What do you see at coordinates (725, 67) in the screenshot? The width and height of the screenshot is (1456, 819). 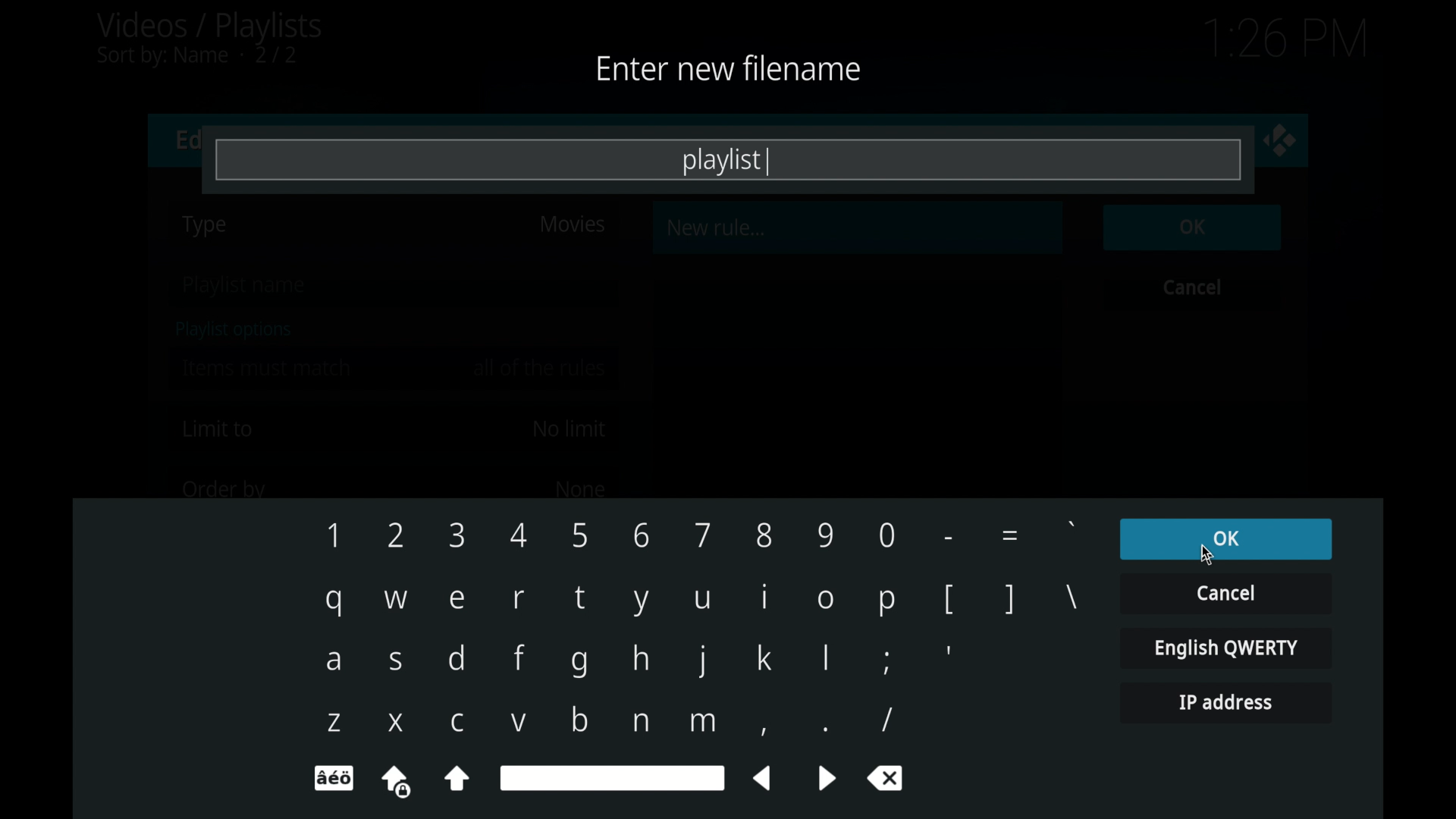 I see `enter new filename` at bounding box center [725, 67].